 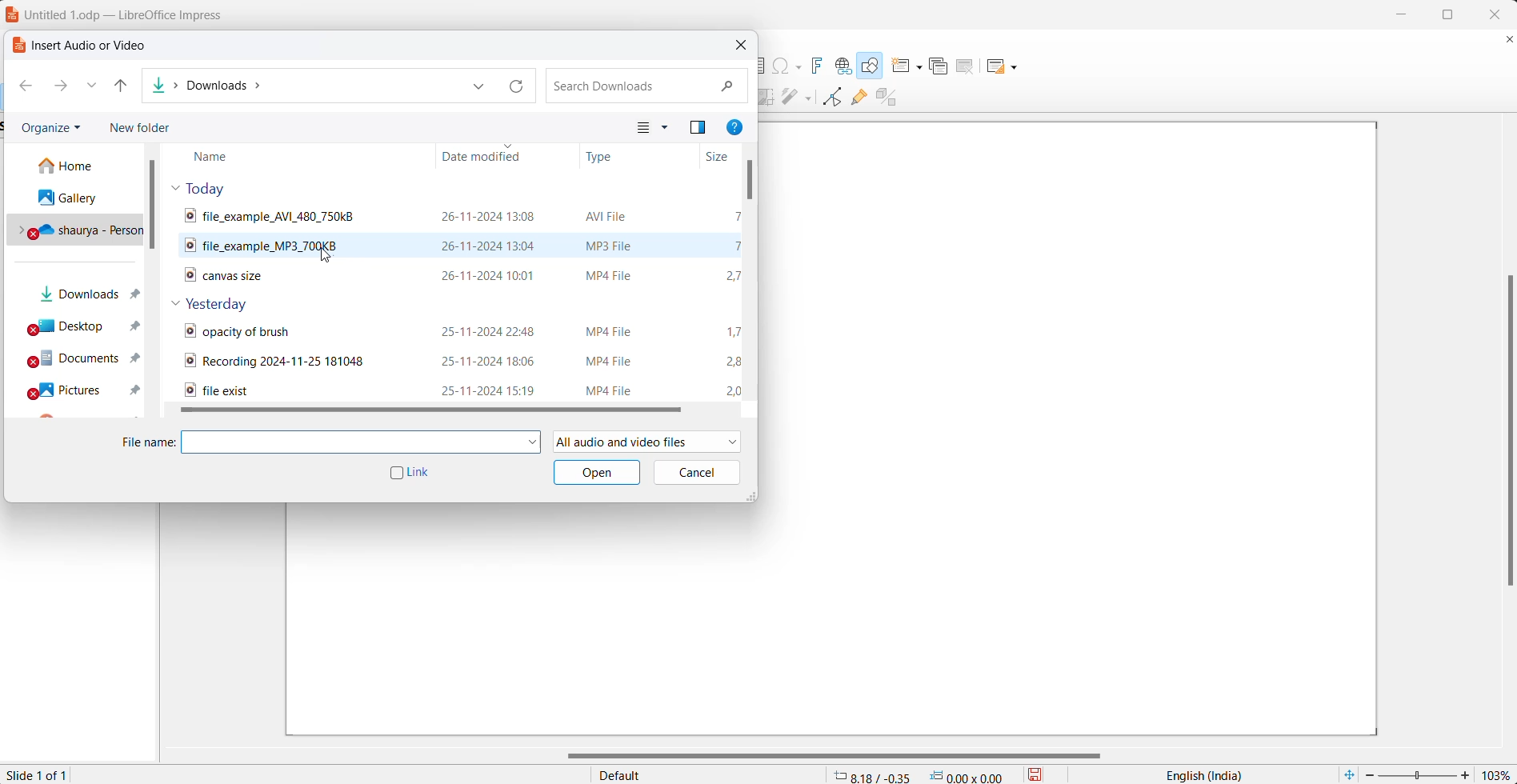 I want to click on close document, so click(x=1508, y=41).